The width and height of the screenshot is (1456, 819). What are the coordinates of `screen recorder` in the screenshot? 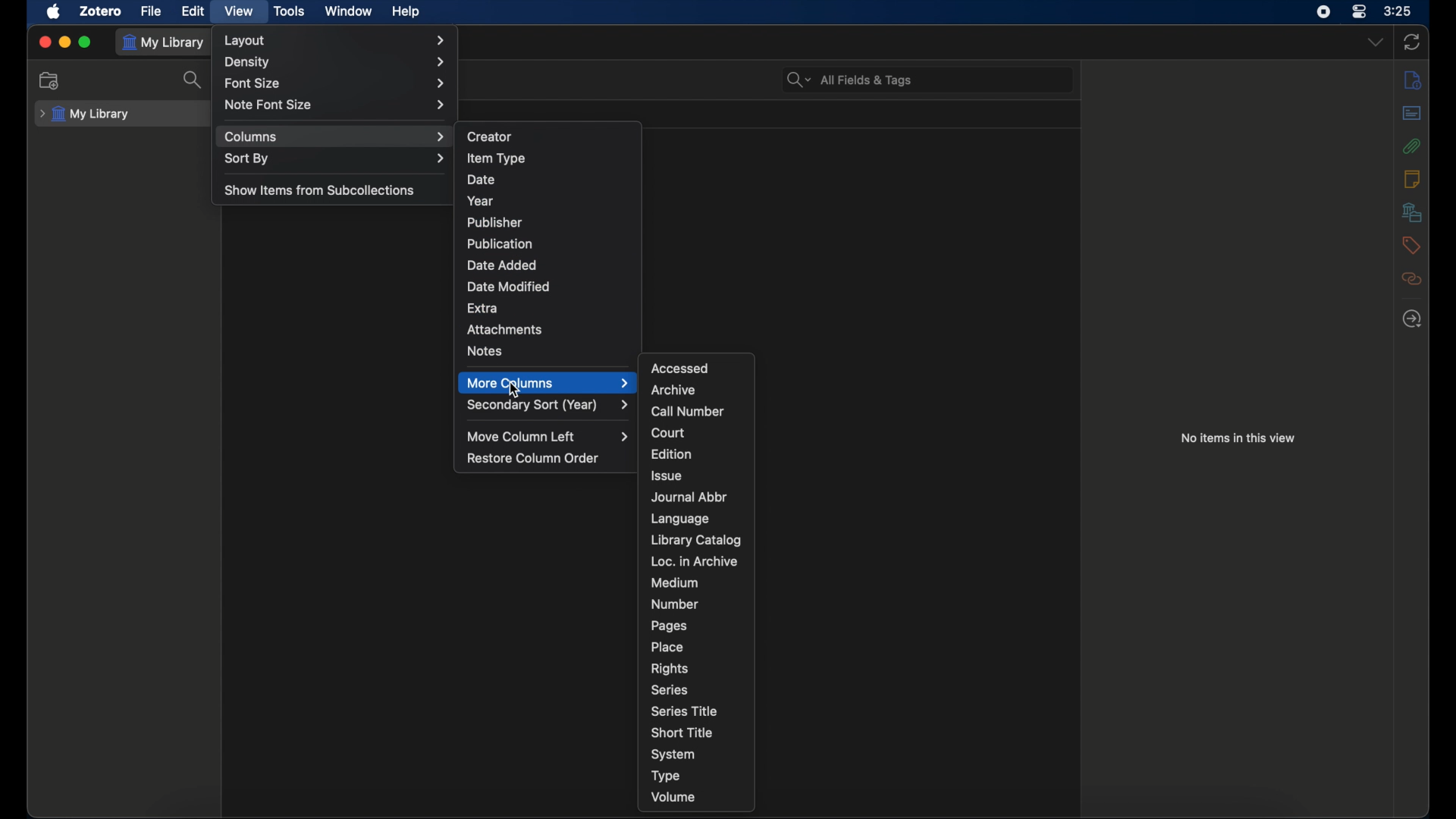 It's located at (1323, 12).